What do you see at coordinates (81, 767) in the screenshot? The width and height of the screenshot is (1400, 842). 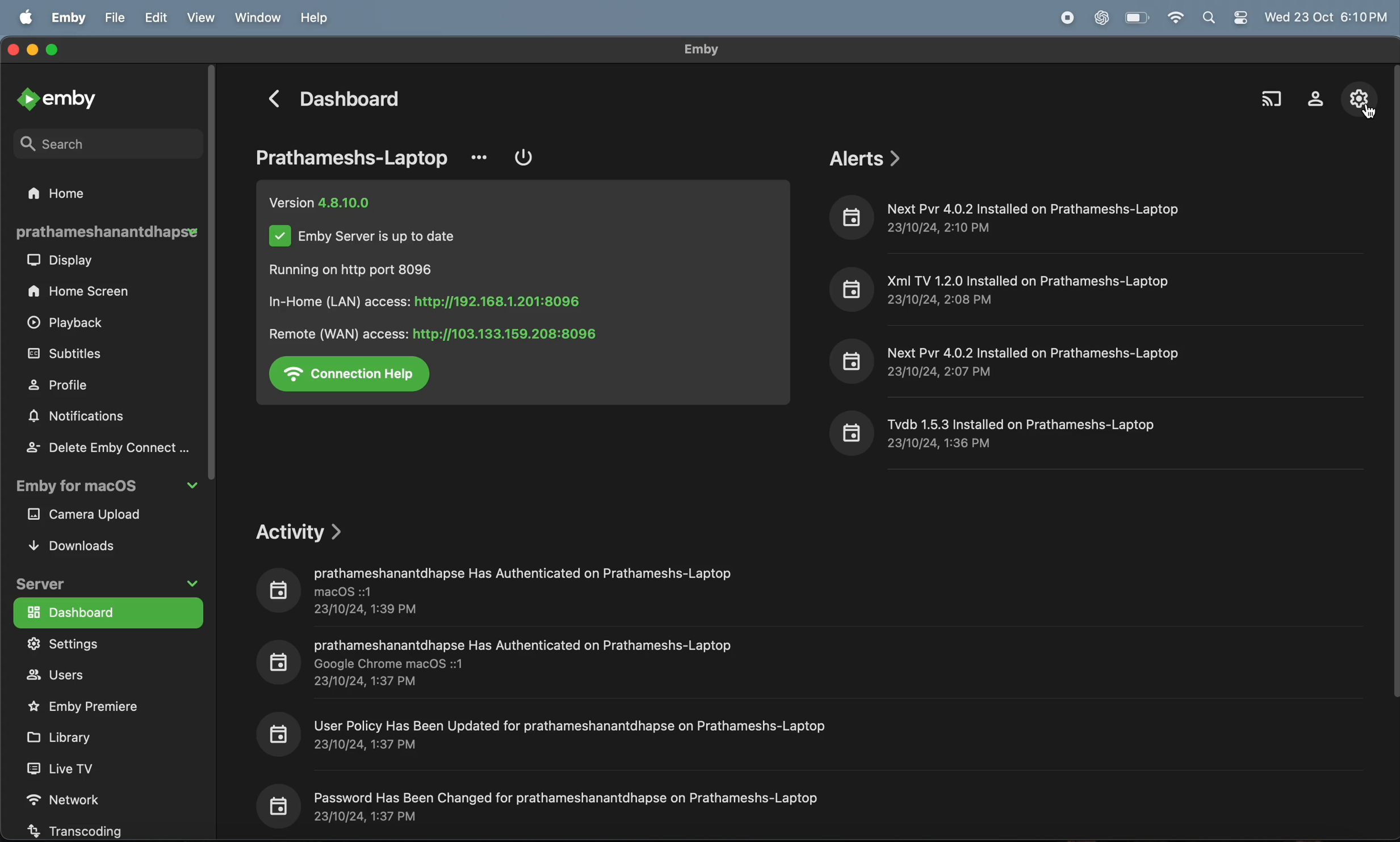 I see `live tv` at bounding box center [81, 767].